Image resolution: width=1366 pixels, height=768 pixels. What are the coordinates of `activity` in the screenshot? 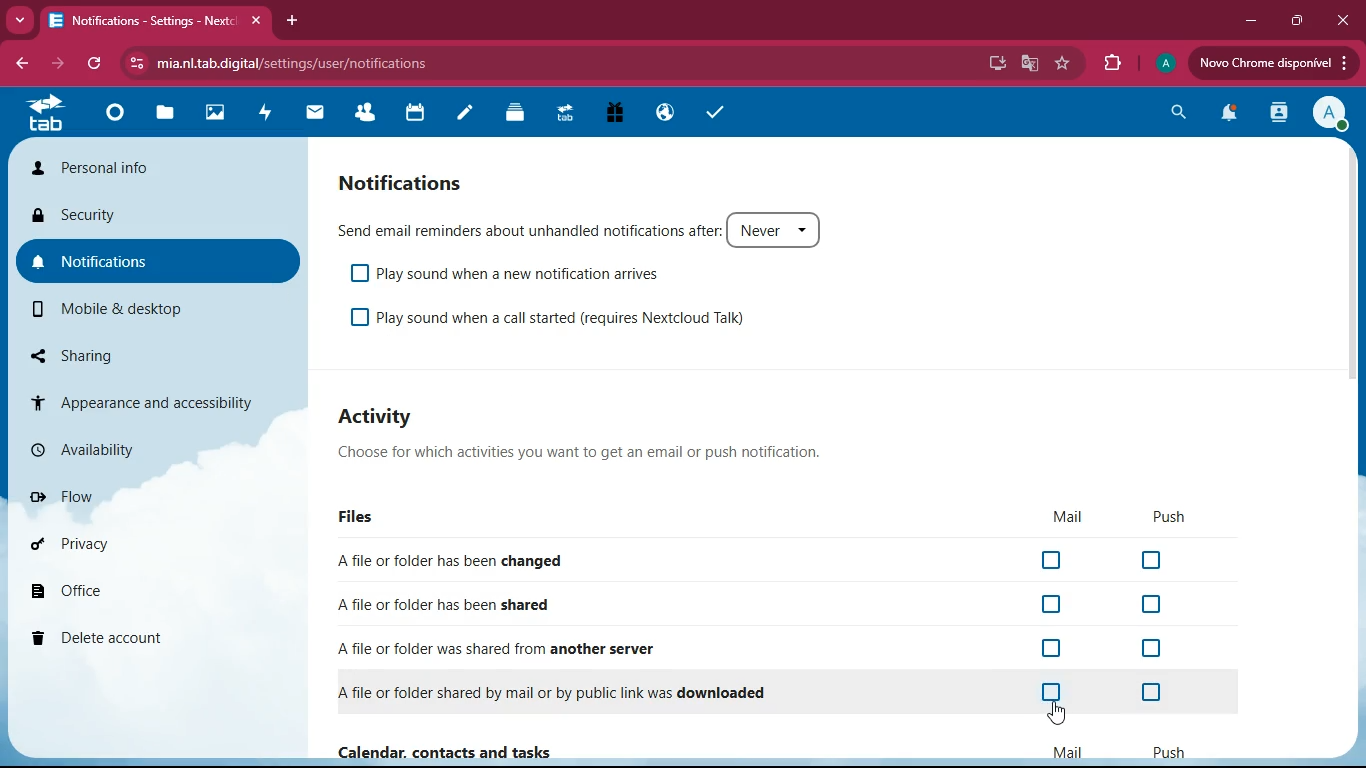 It's located at (385, 416).